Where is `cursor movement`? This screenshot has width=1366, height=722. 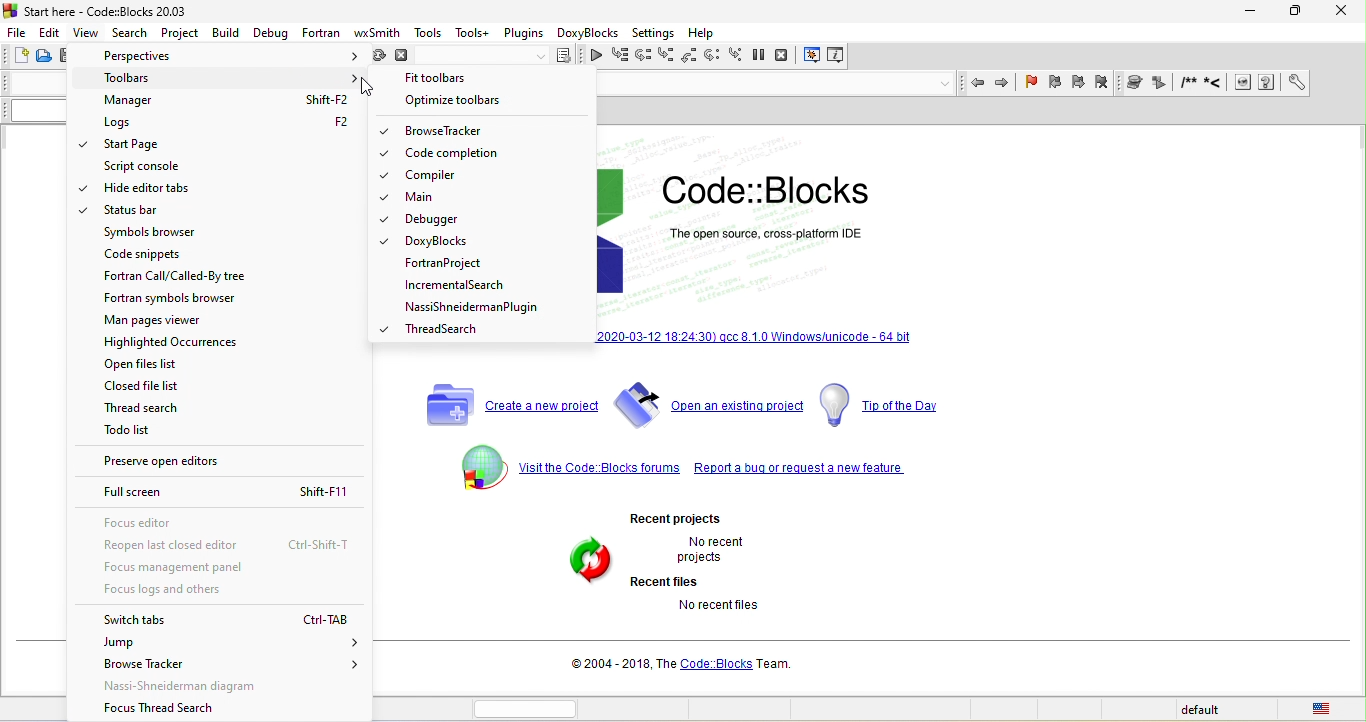 cursor movement is located at coordinates (370, 93).